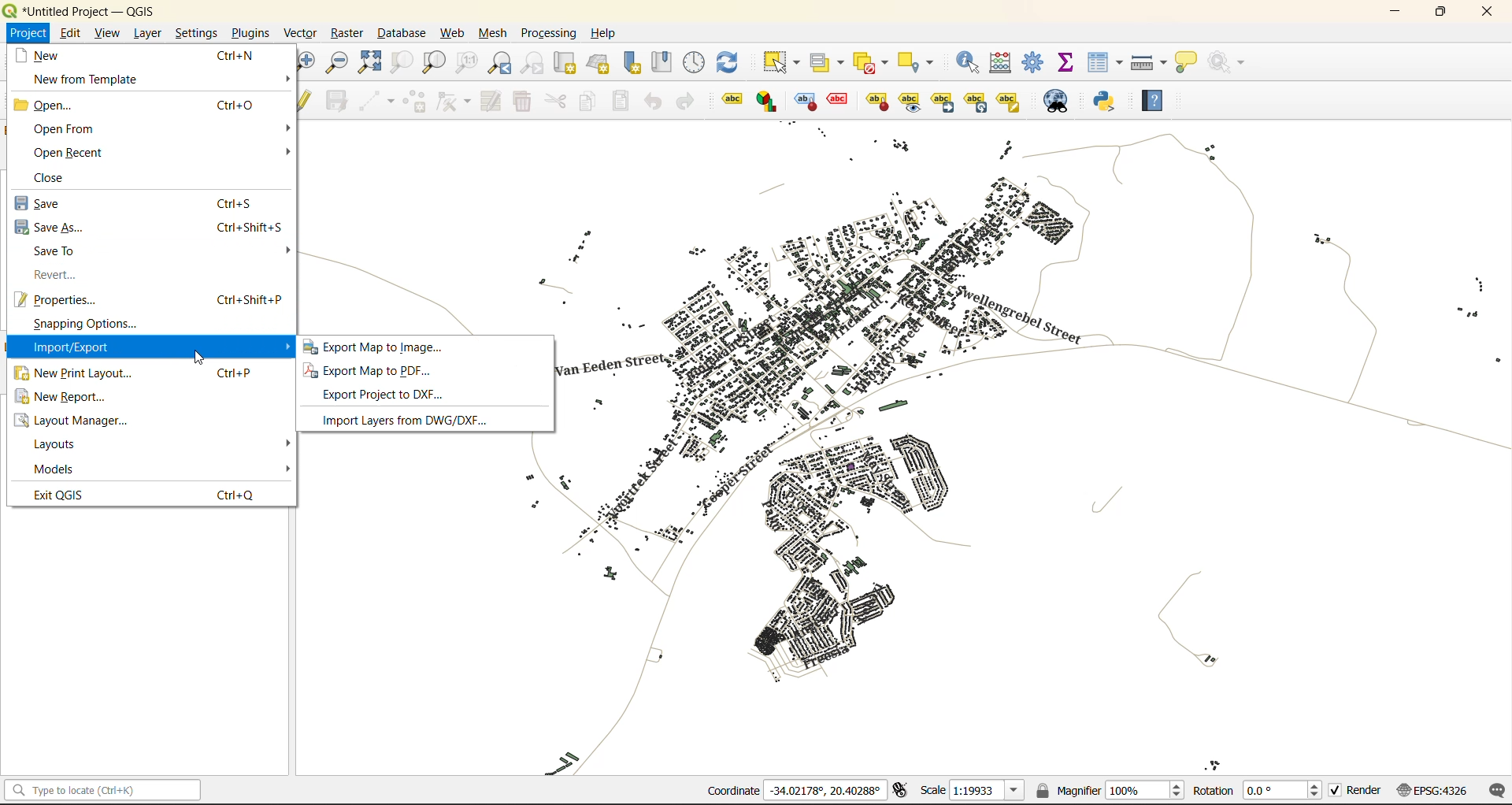 Image resolution: width=1512 pixels, height=805 pixels. I want to click on new, so click(55, 54).